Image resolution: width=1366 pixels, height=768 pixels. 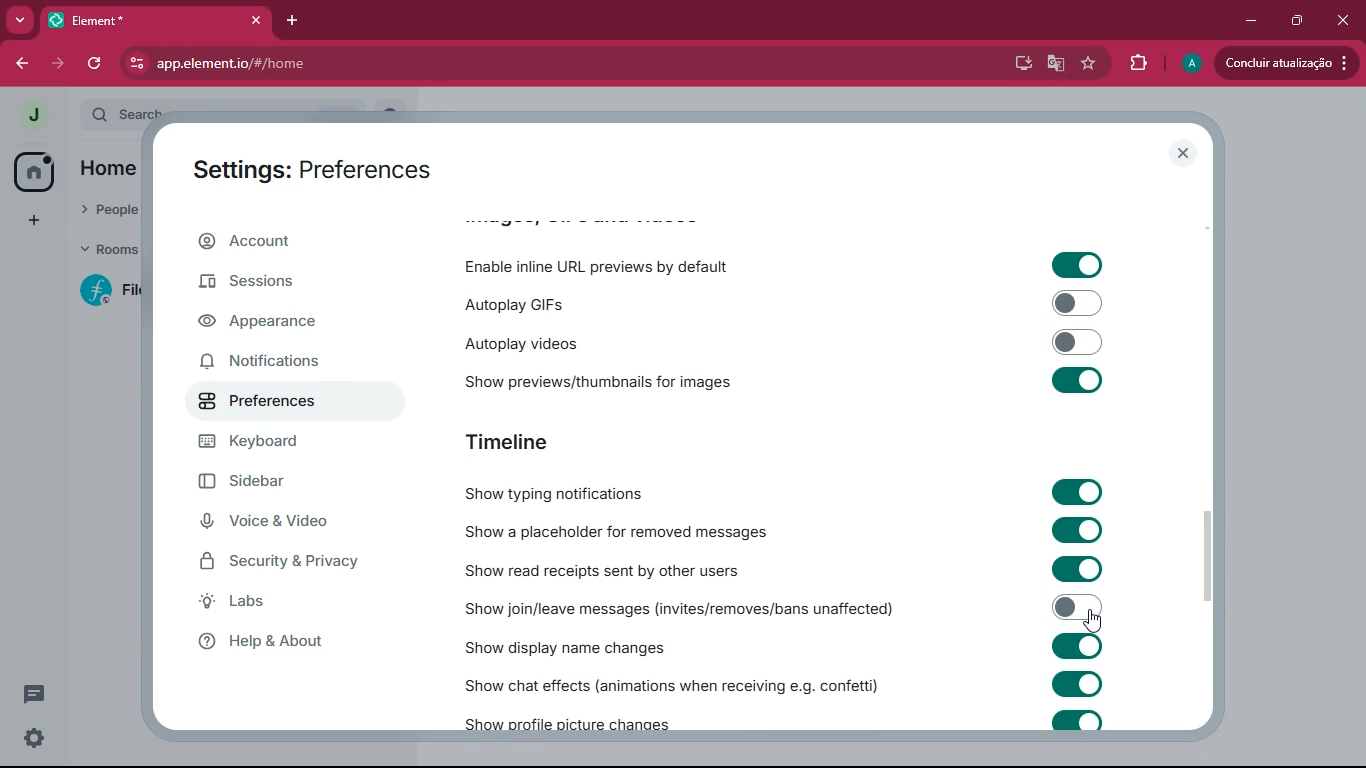 What do you see at coordinates (1079, 684) in the screenshot?
I see `toggle on/off` at bounding box center [1079, 684].